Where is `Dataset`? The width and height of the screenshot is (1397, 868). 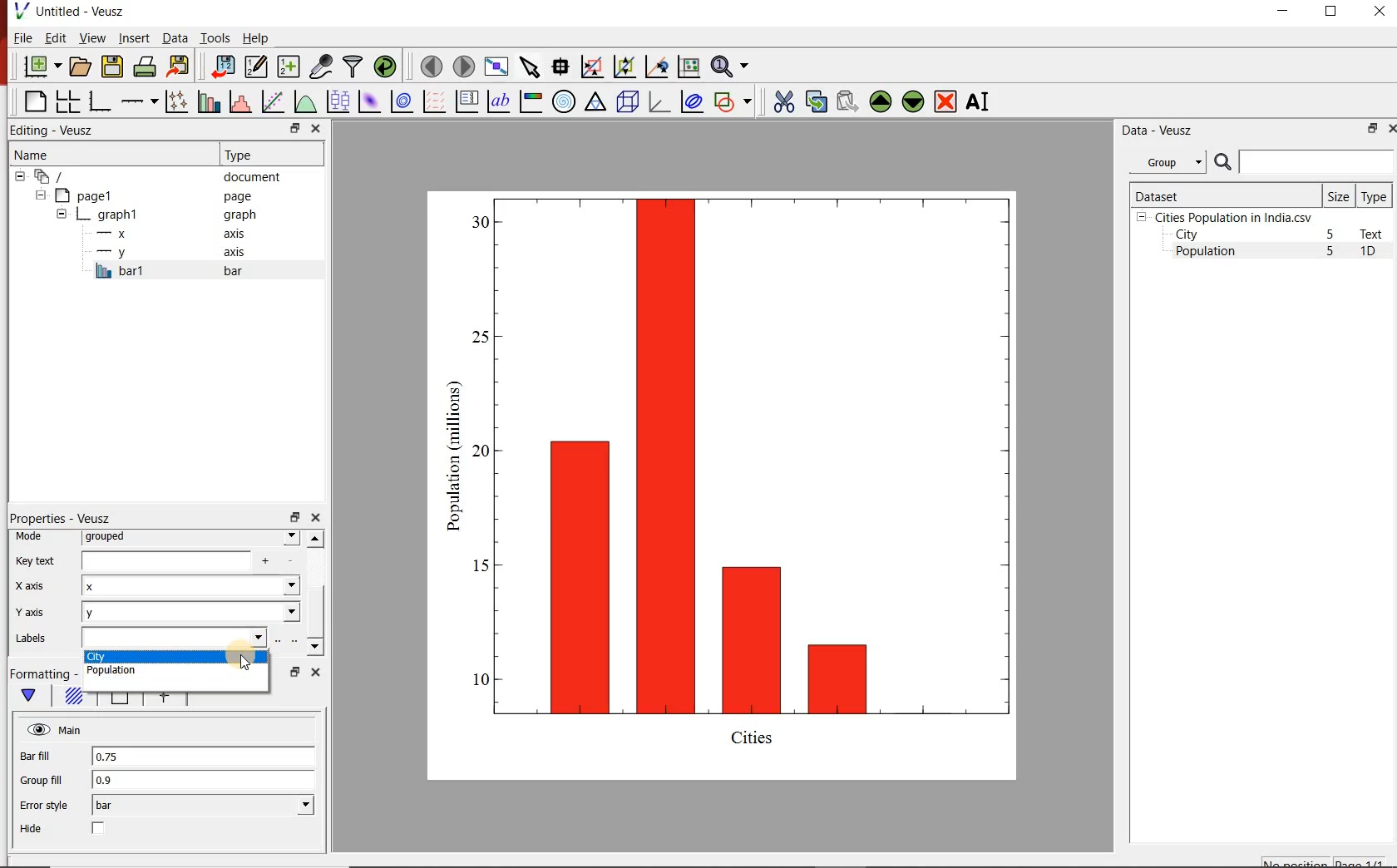 Dataset is located at coordinates (1223, 195).